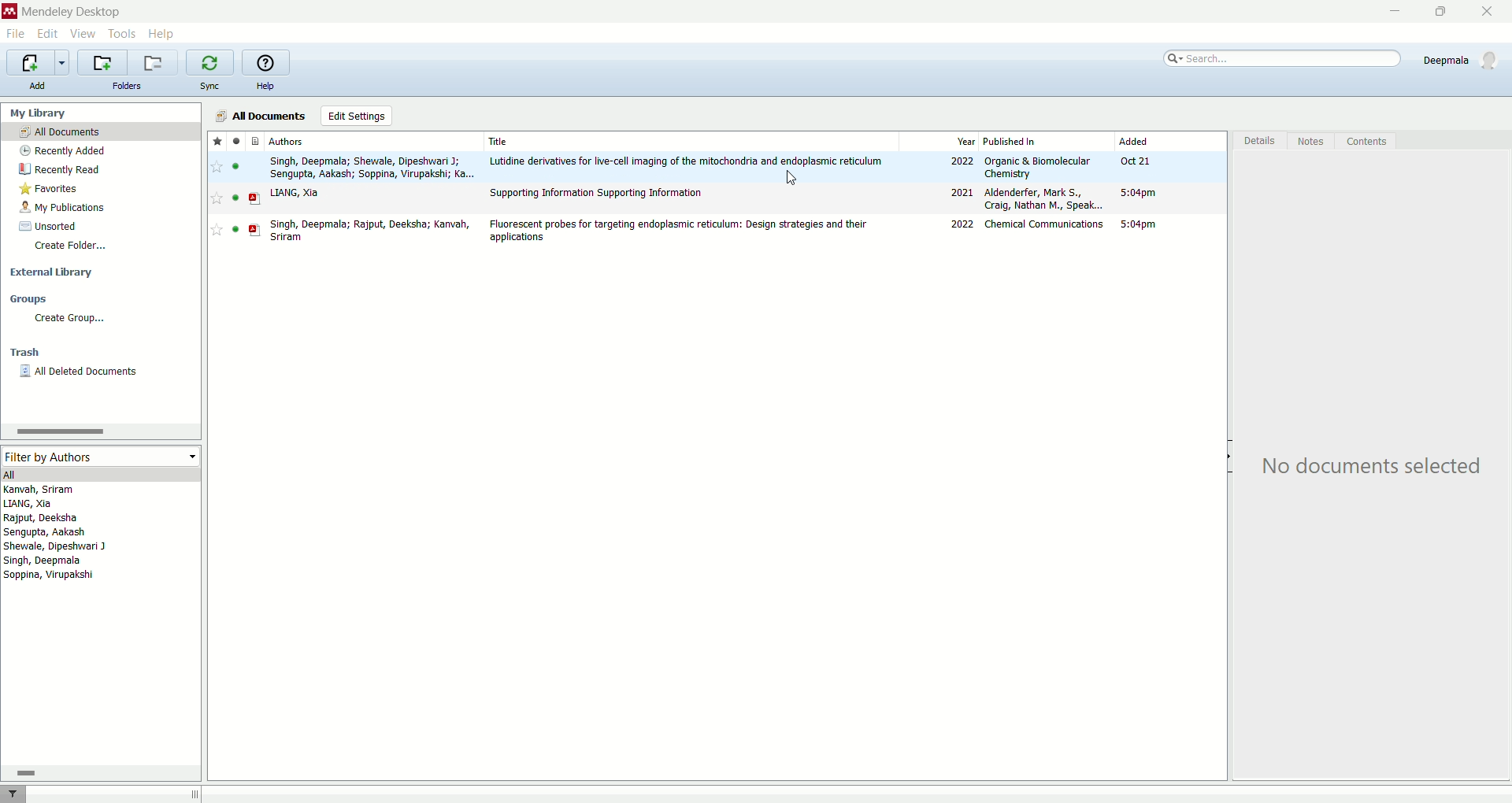 Image resolution: width=1512 pixels, height=803 pixels. Describe the element at coordinates (962, 161) in the screenshot. I see `2022` at that location.